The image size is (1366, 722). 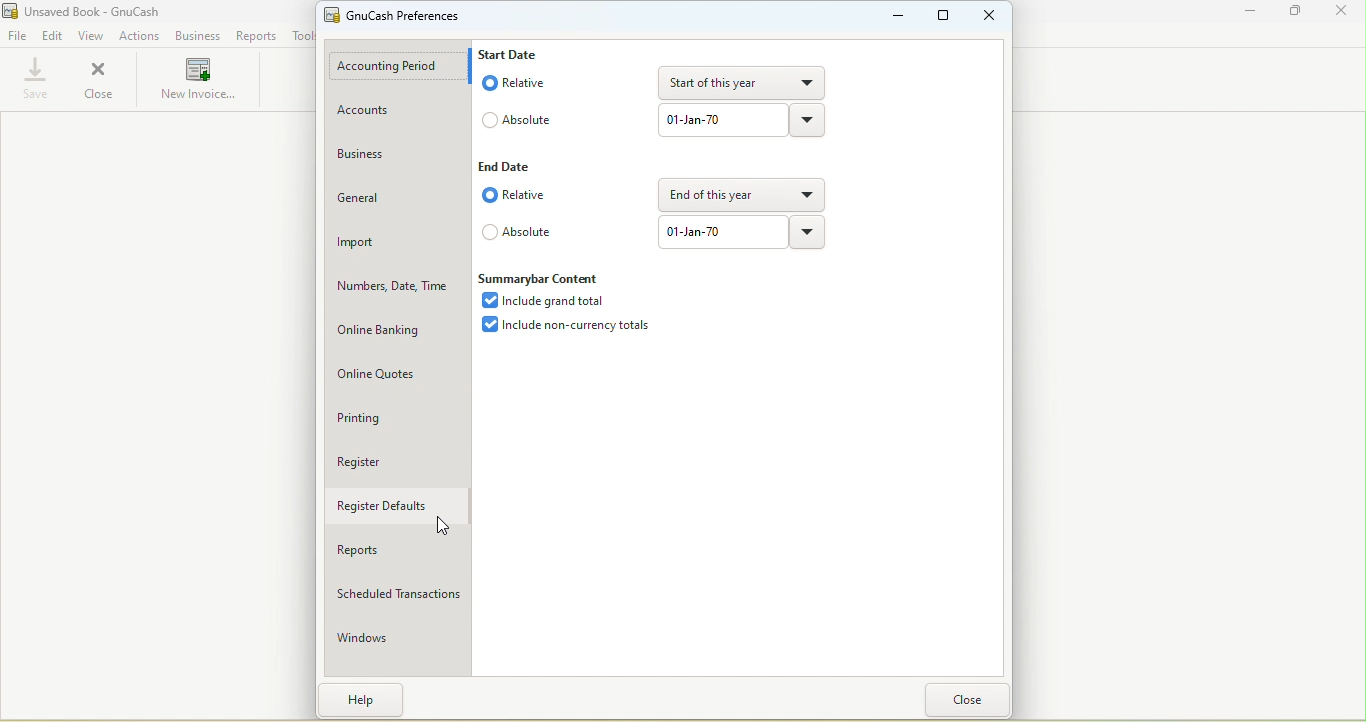 What do you see at coordinates (392, 245) in the screenshot?
I see `Import` at bounding box center [392, 245].